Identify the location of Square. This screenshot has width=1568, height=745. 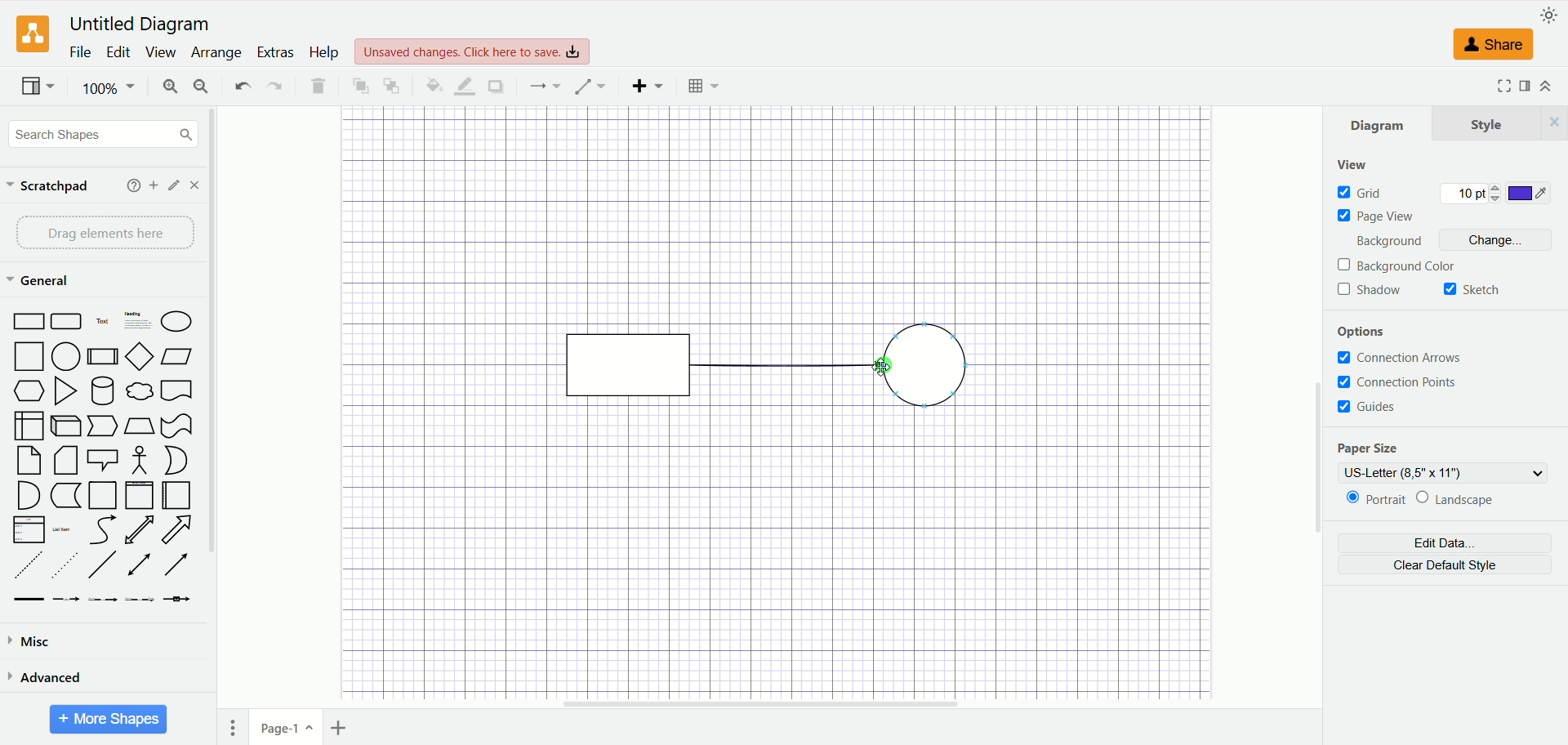
(29, 358).